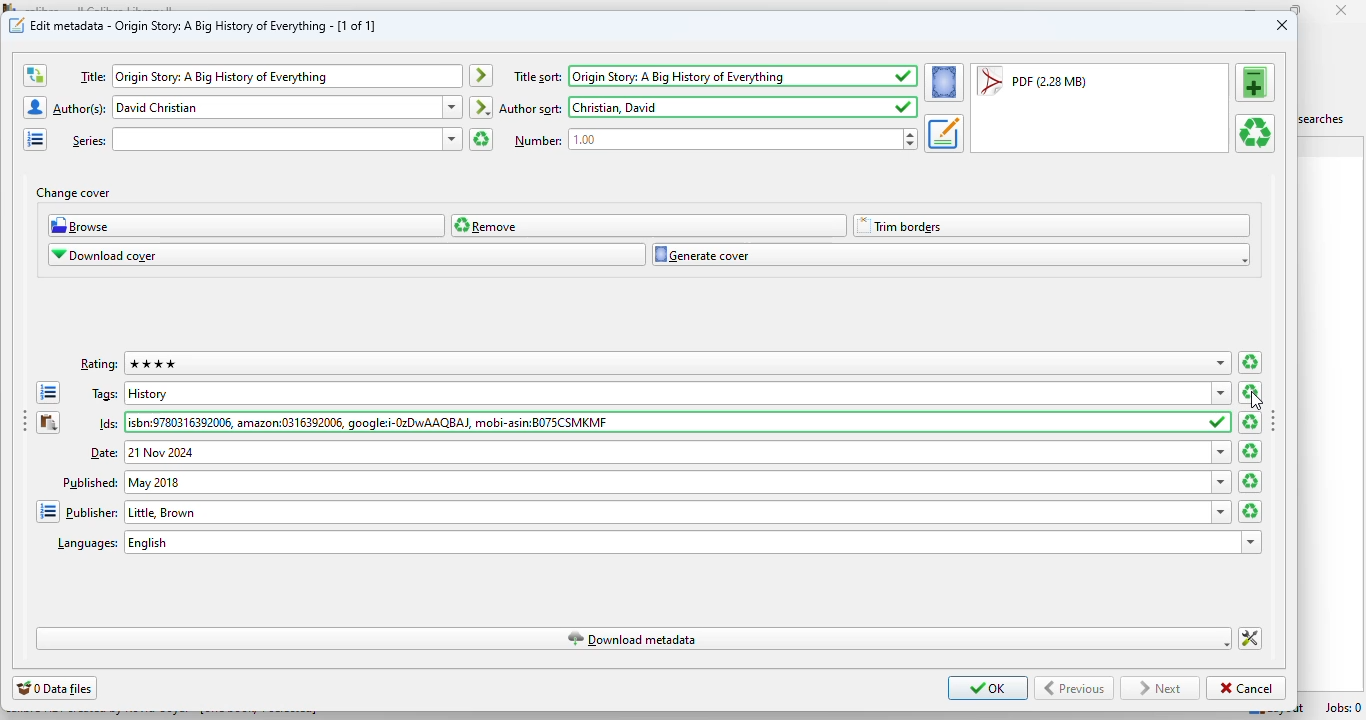 The width and height of the screenshot is (1366, 720). What do you see at coordinates (48, 392) in the screenshot?
I see `open the tag editor` at bounding box center [48, 392].